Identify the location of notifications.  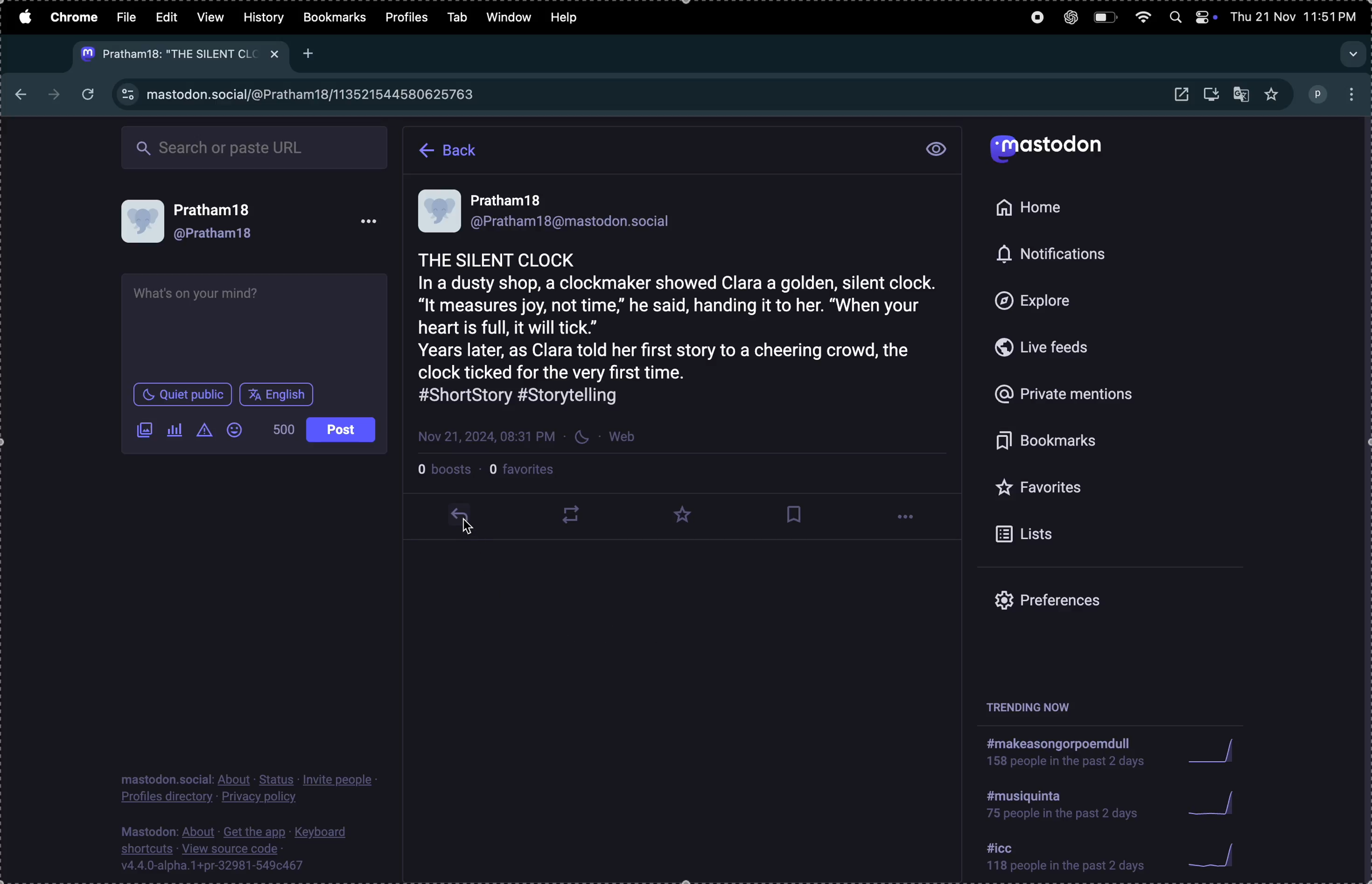
(1052, 256).